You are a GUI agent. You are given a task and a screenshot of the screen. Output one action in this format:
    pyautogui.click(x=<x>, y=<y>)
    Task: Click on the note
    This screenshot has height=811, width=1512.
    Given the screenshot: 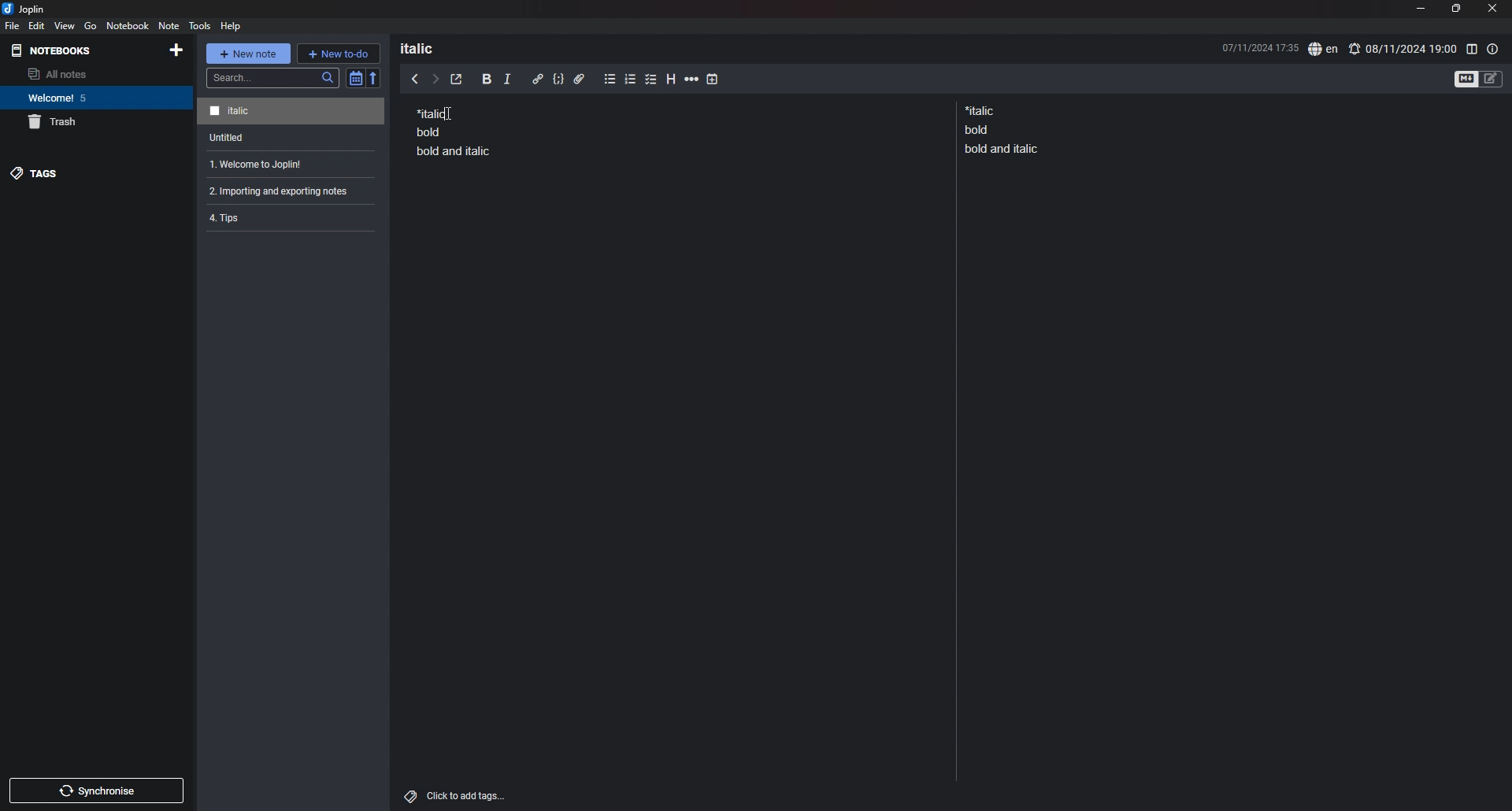 What is the action you would take?
    pyautogui.click(x=168, y=25)
    